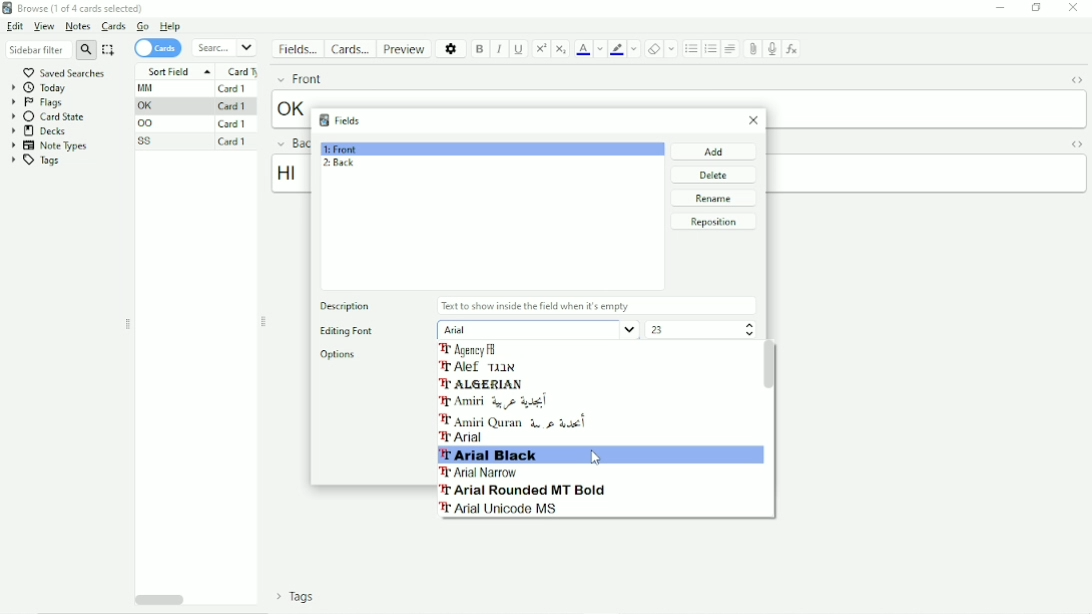  What do you see at coordinates (406, 48) in the screenshot?
I see `Preview` at bounding box center [406, 48].